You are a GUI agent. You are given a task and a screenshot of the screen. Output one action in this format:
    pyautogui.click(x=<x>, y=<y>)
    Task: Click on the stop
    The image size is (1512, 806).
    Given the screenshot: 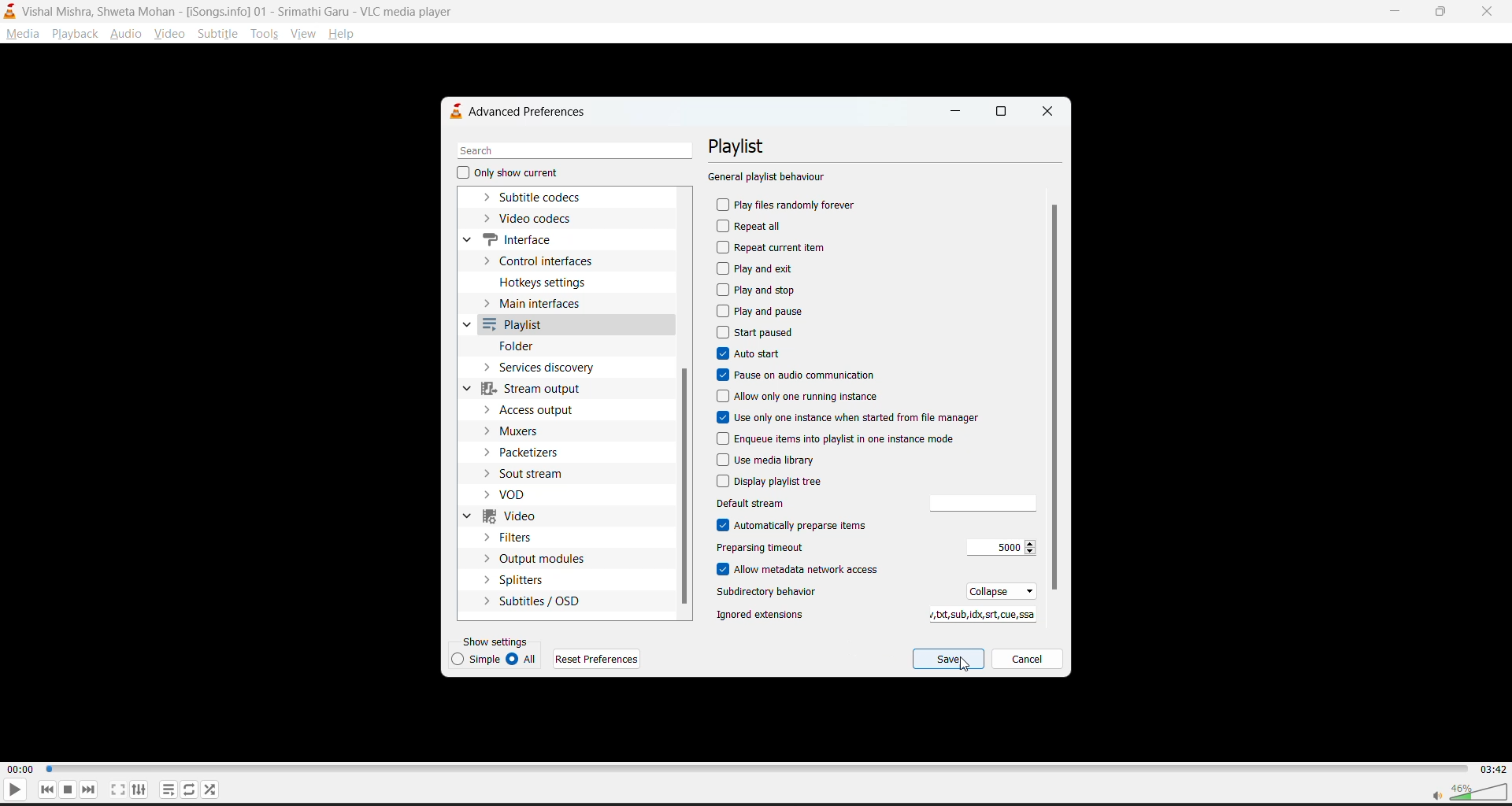 What is the action you would take?
    pyautogui.click(x=65, y=788)
    